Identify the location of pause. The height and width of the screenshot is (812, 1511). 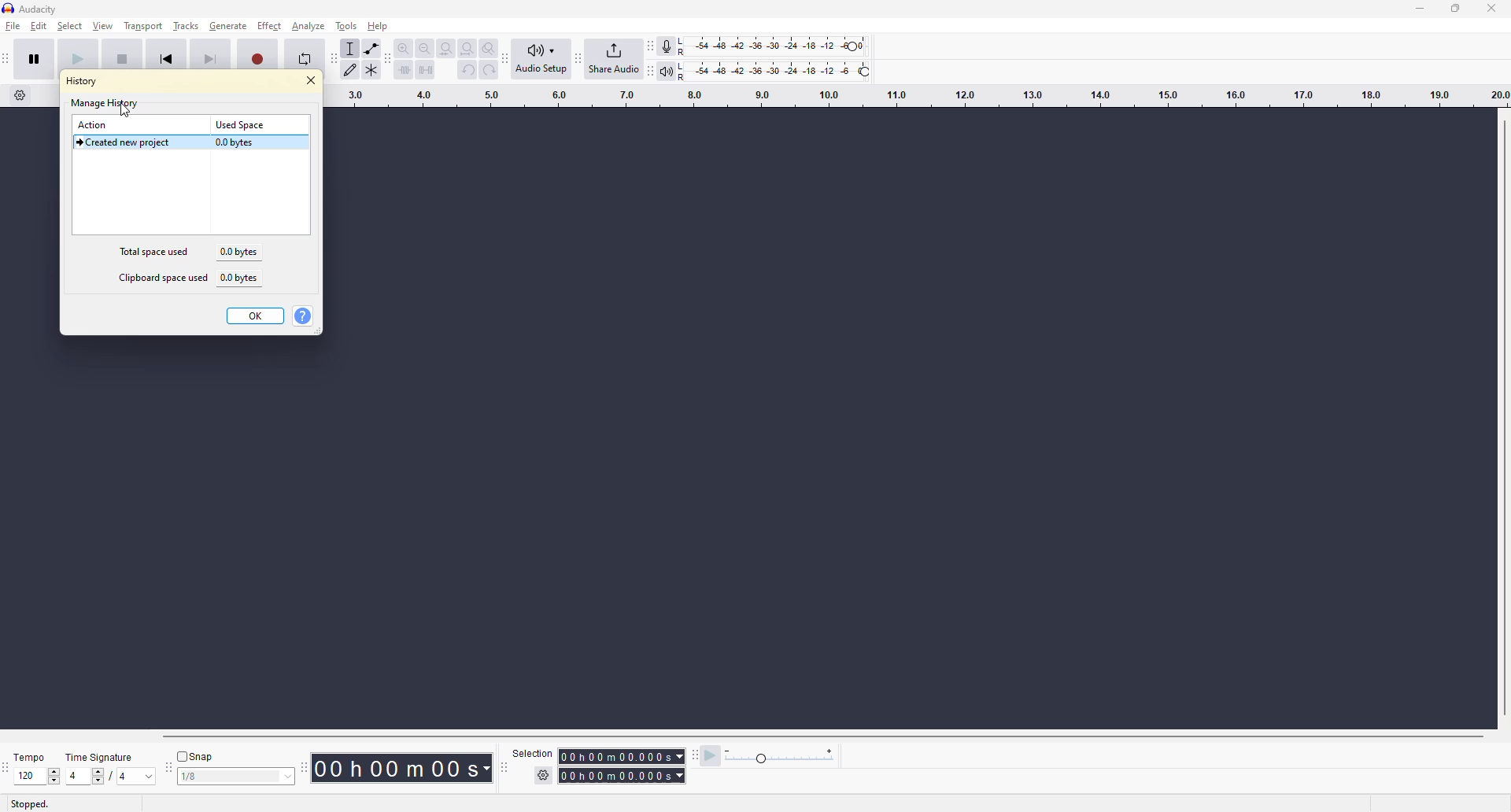
(39, 61).